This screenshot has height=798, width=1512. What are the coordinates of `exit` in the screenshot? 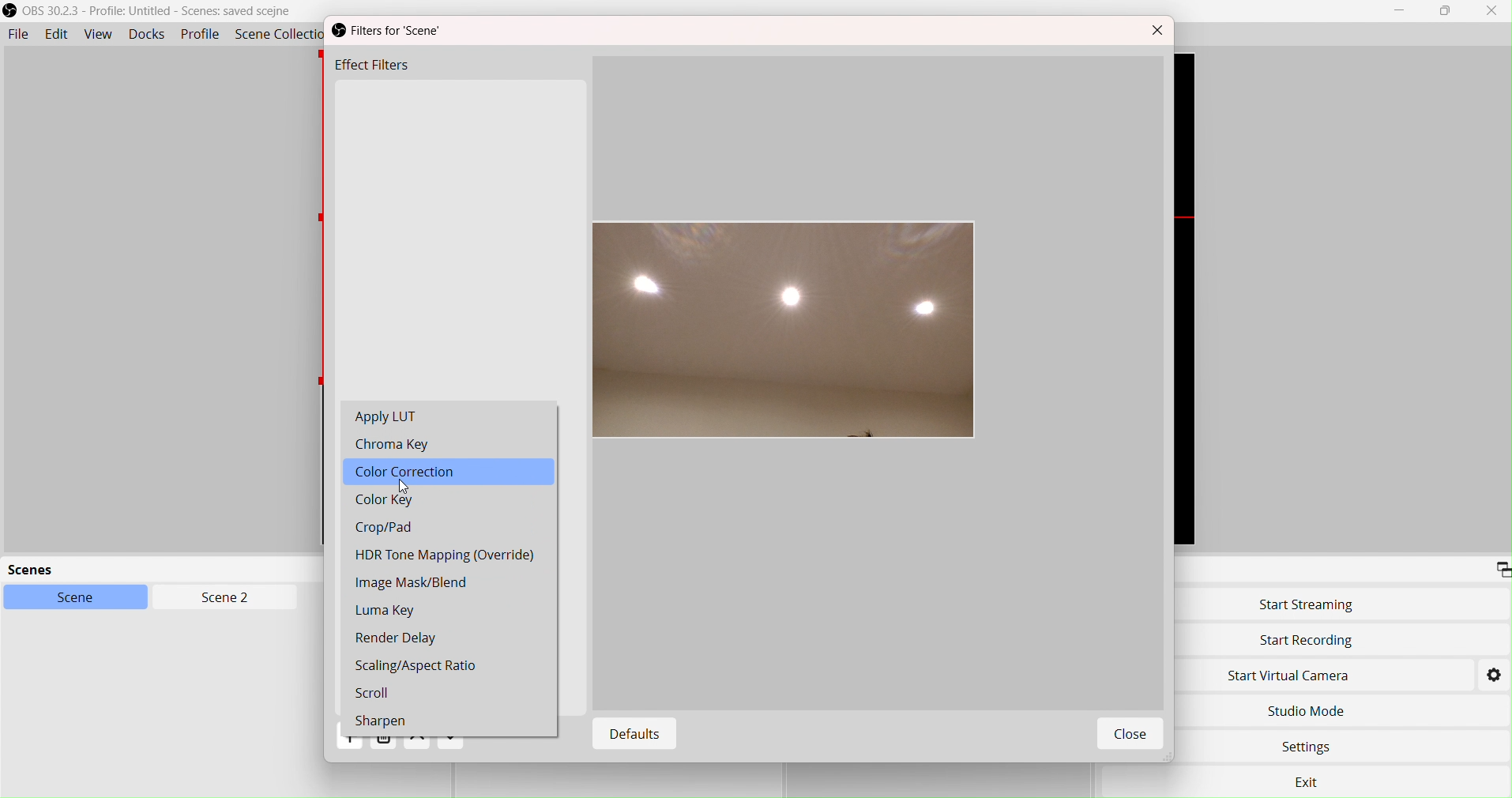 It's located at (1308, 781).